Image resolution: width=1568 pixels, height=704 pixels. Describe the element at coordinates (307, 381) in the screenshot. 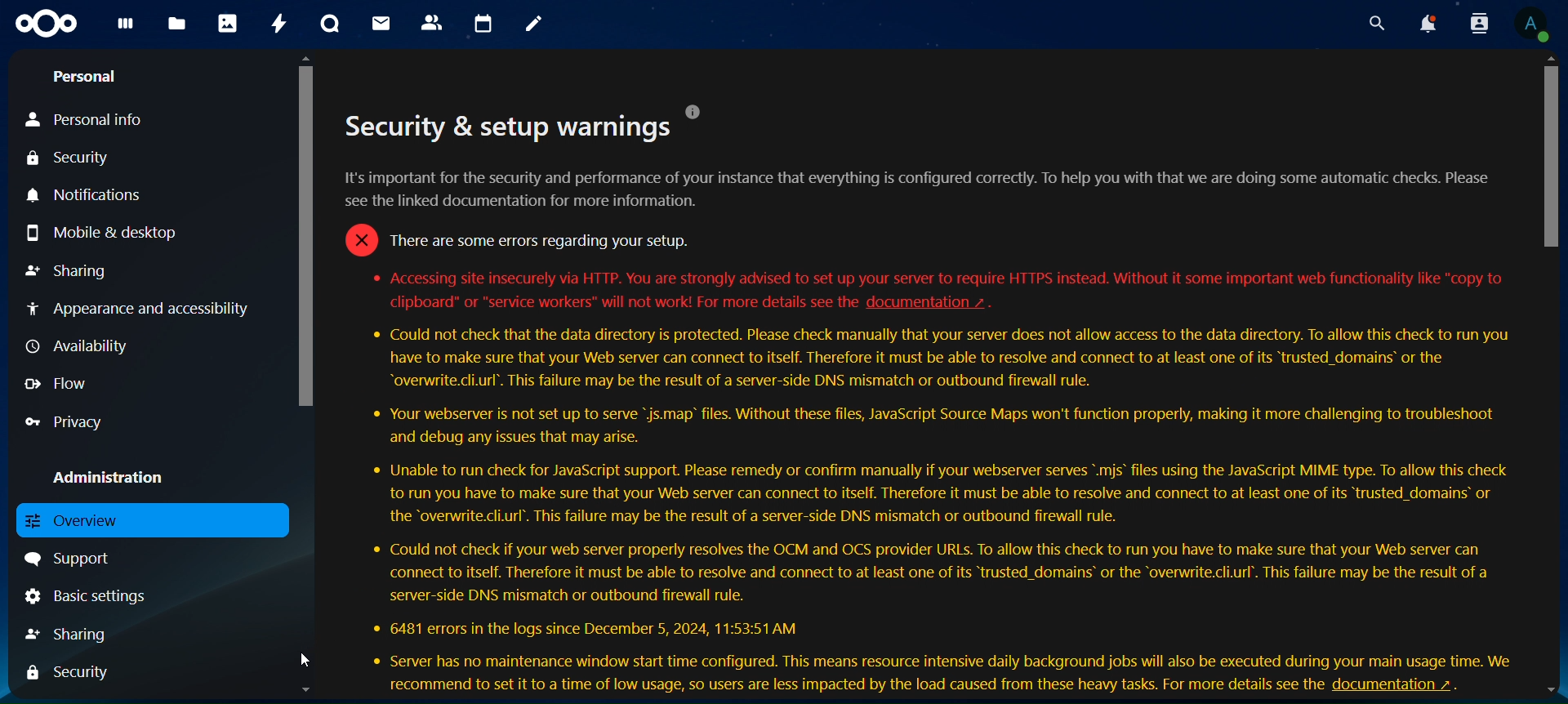

I see `scroll bar` at that location.